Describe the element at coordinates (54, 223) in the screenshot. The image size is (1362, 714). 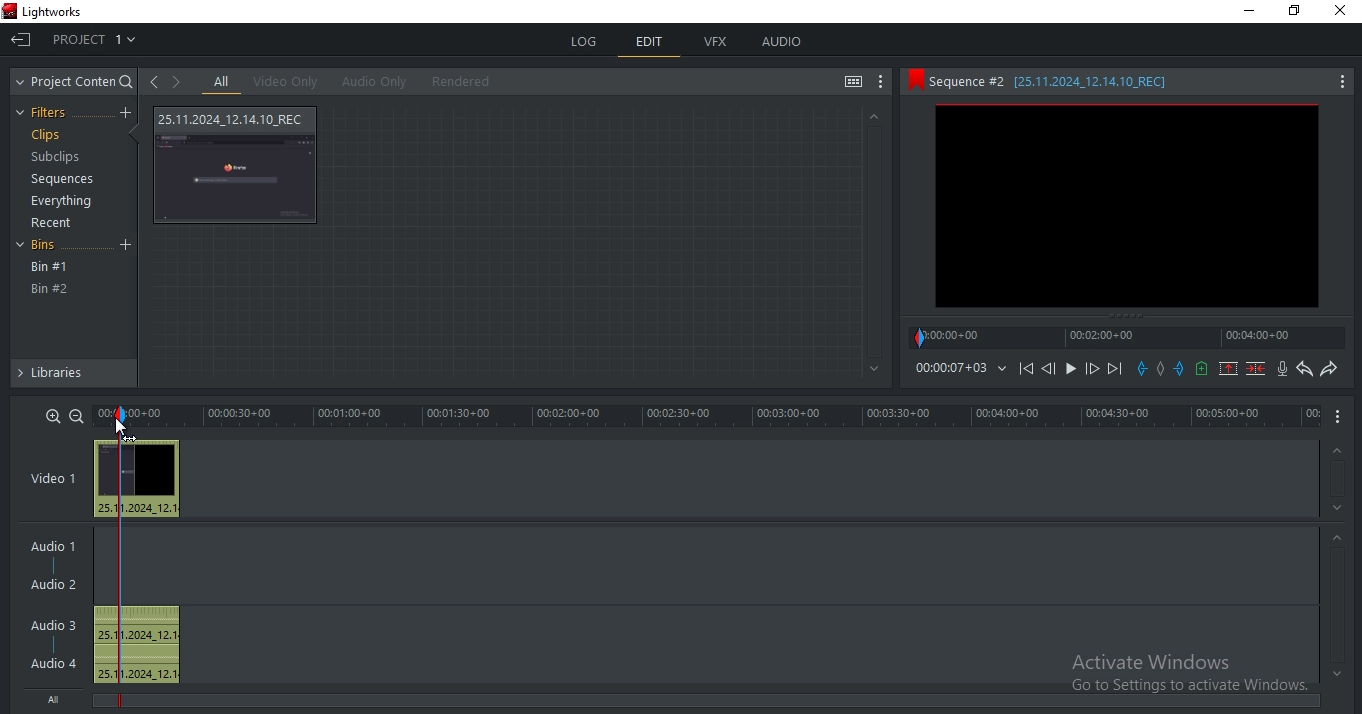
I see `recent` at that location.